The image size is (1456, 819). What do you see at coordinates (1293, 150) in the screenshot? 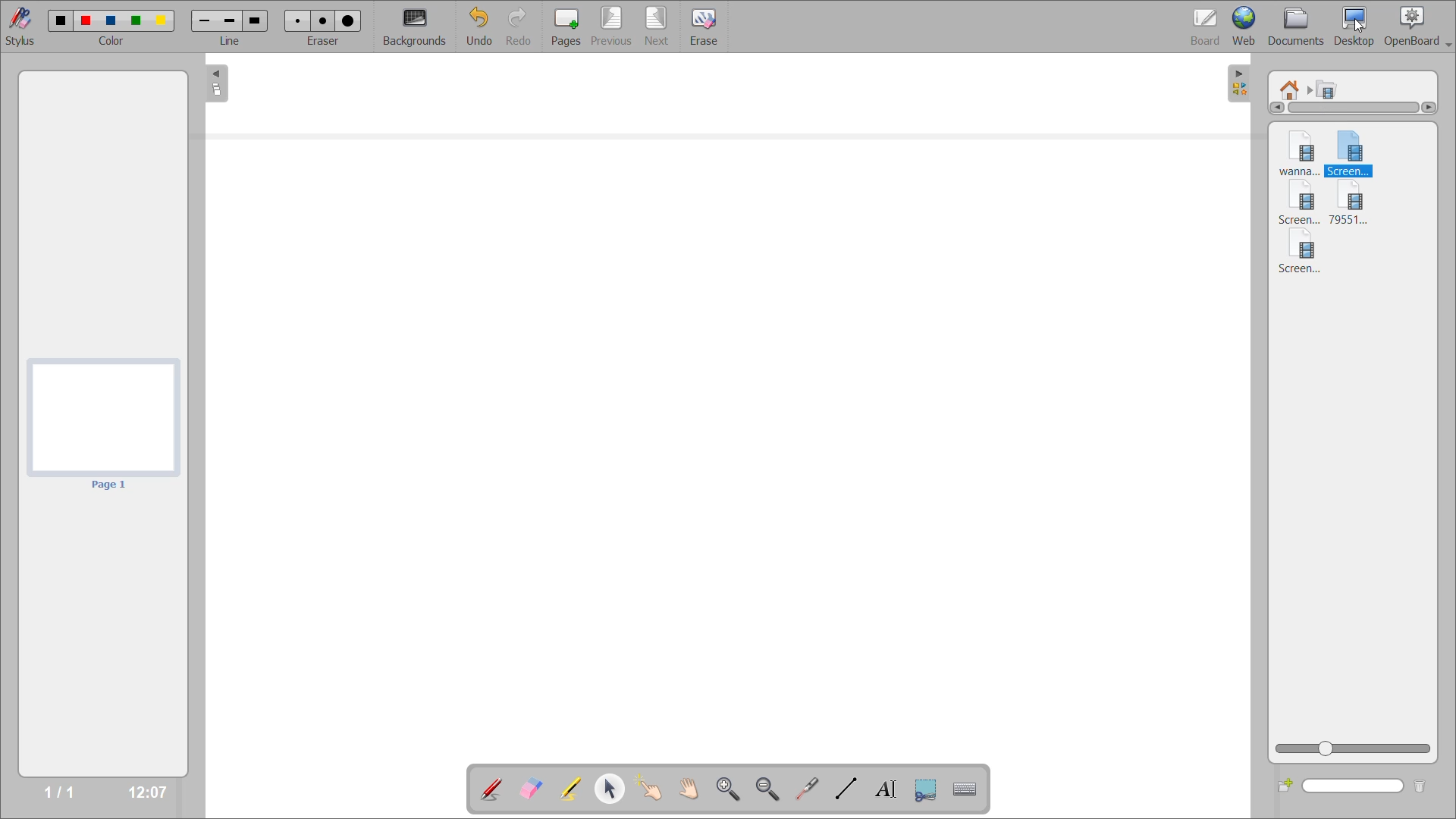
I see `video 1` at bounding box center [1293, 150].